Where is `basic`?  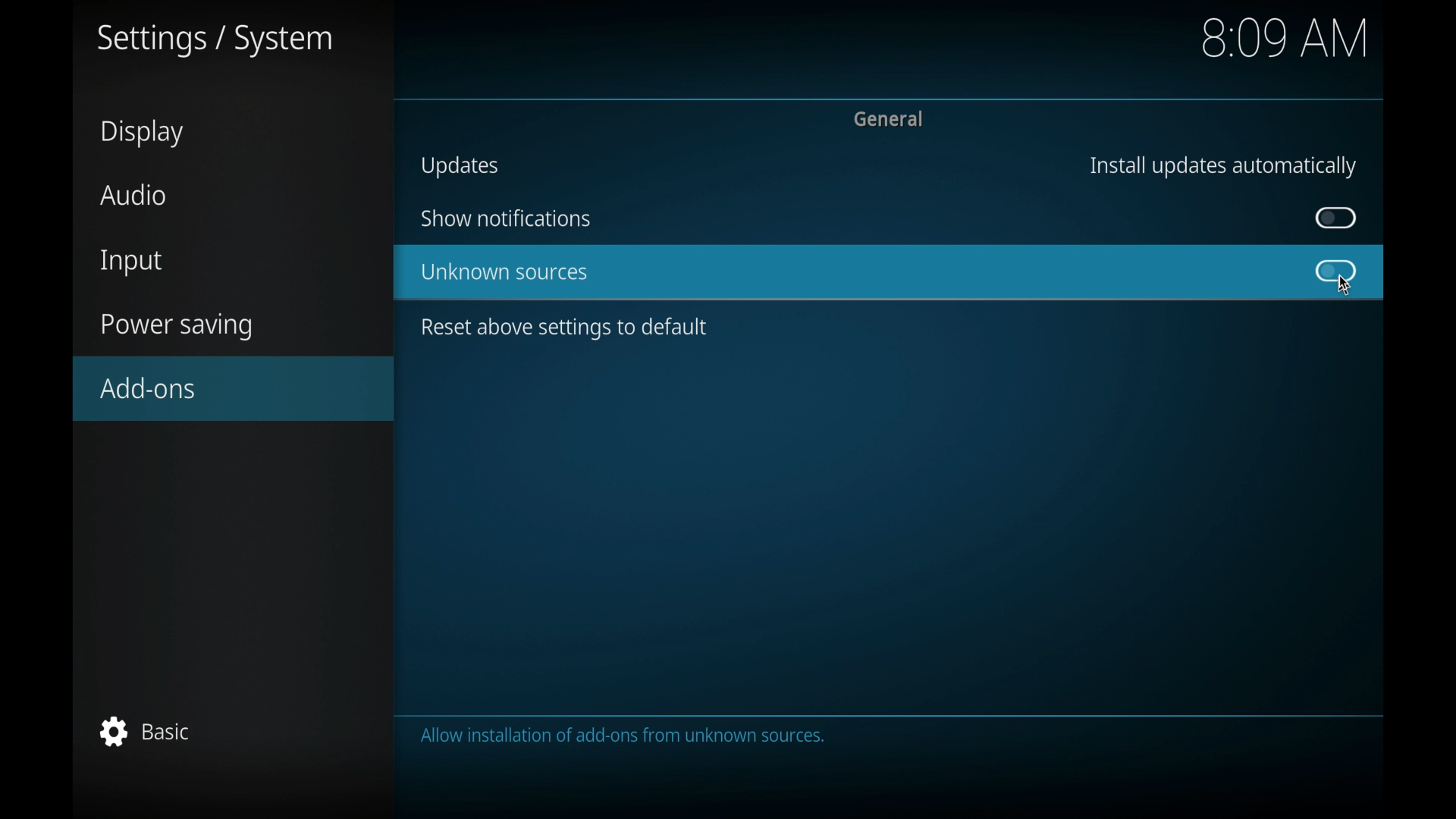
basic is located at coordinates (146, 731).